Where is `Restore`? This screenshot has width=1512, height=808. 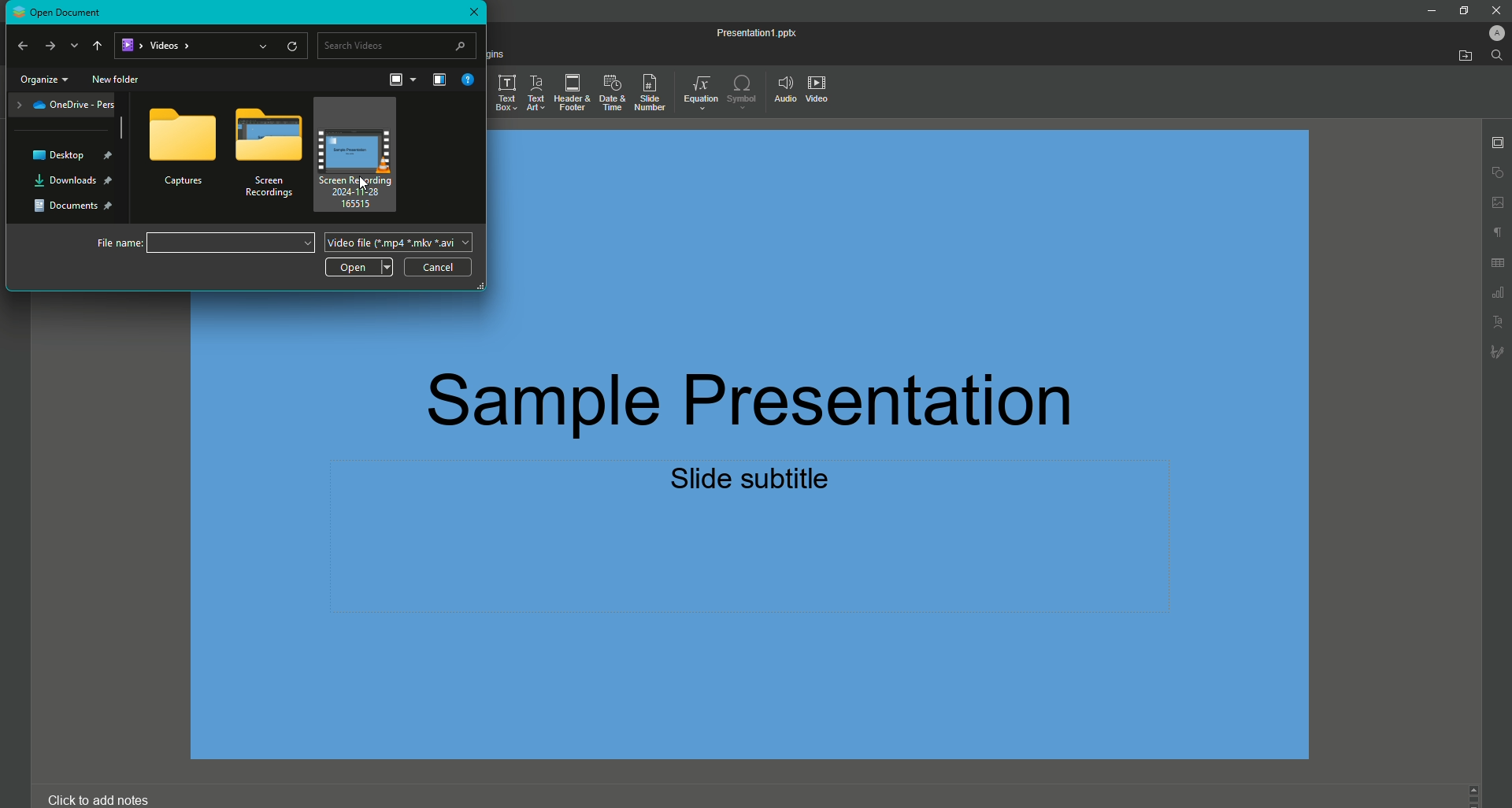
Restore is located at coordinates (1462, 9).